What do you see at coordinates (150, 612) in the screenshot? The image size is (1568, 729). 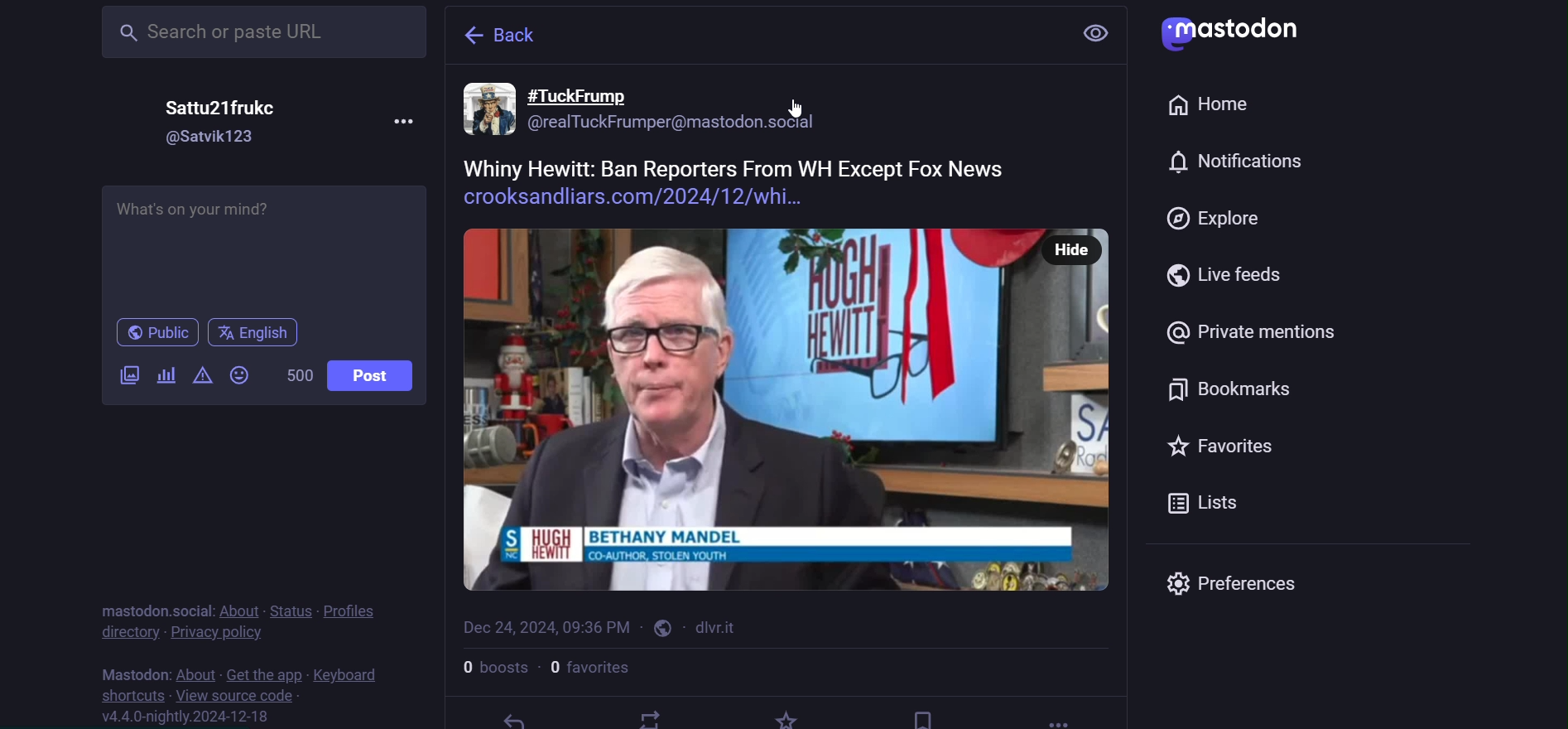 I see `mastodon` at bounding box center [150, 612].